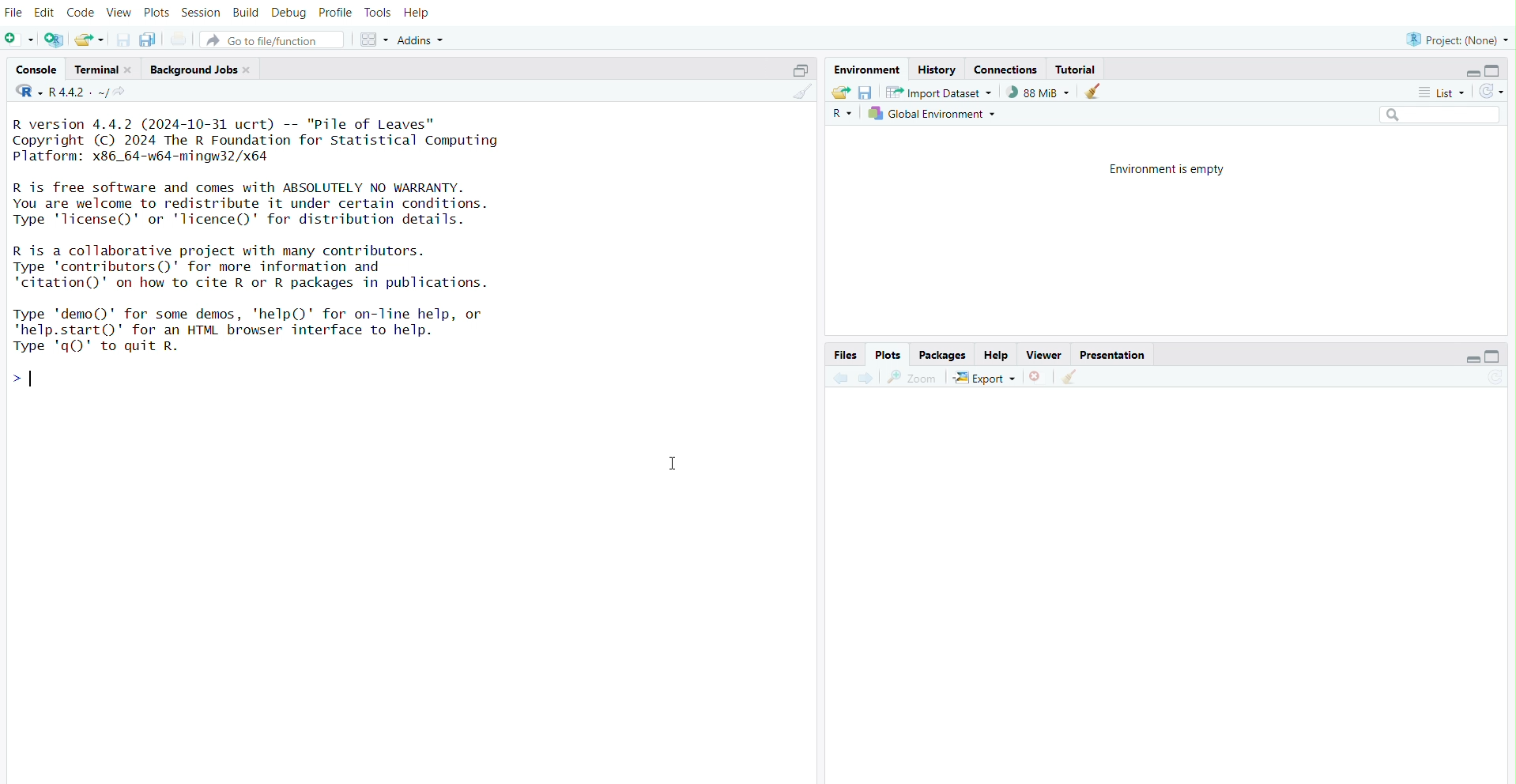  What do you see at coordinates (273, 37) in the screenshot?
I see `go to file/function` at bounding box center [273, 37].